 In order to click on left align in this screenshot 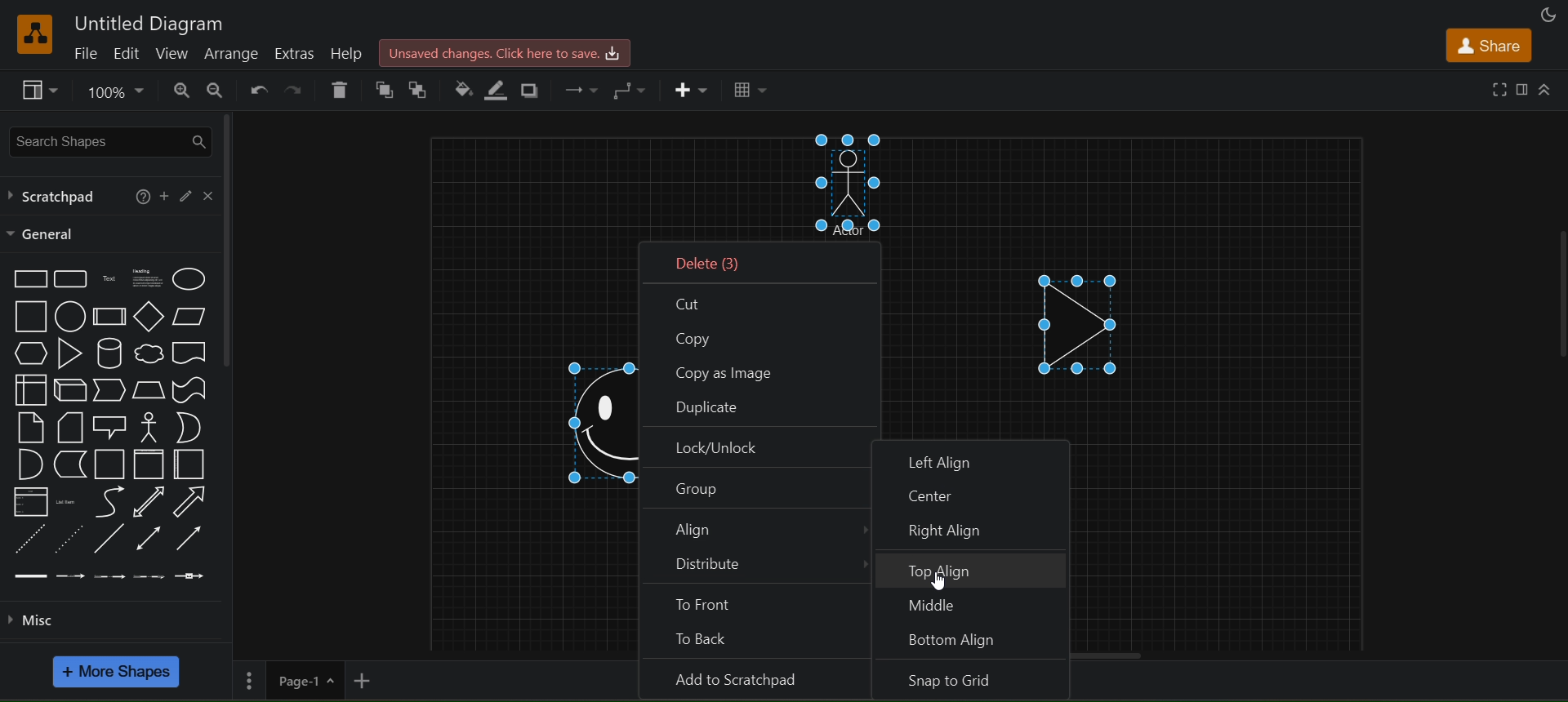, I will do `click(972, 455)`.